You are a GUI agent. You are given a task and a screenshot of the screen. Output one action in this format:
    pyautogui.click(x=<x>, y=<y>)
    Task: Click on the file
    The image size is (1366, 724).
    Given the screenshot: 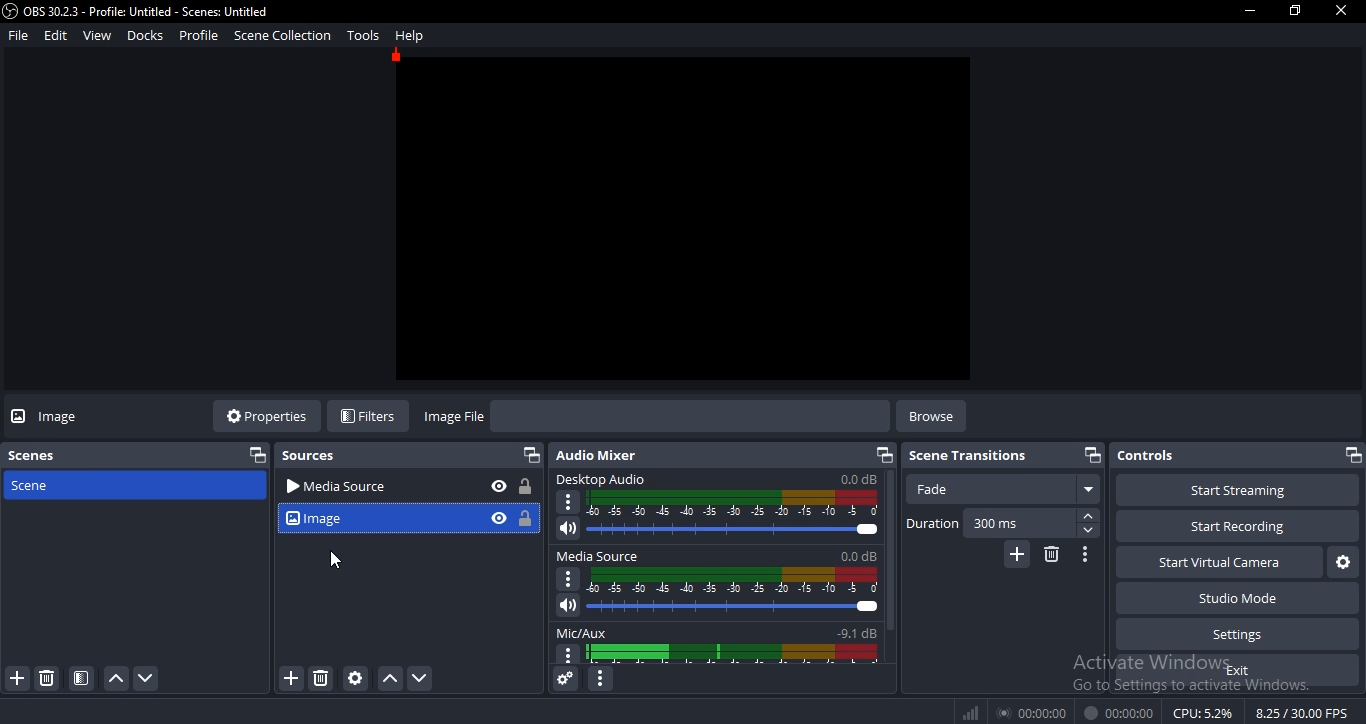 What is the action you would take?
    pyautogui.click(x=18, y=35)
    